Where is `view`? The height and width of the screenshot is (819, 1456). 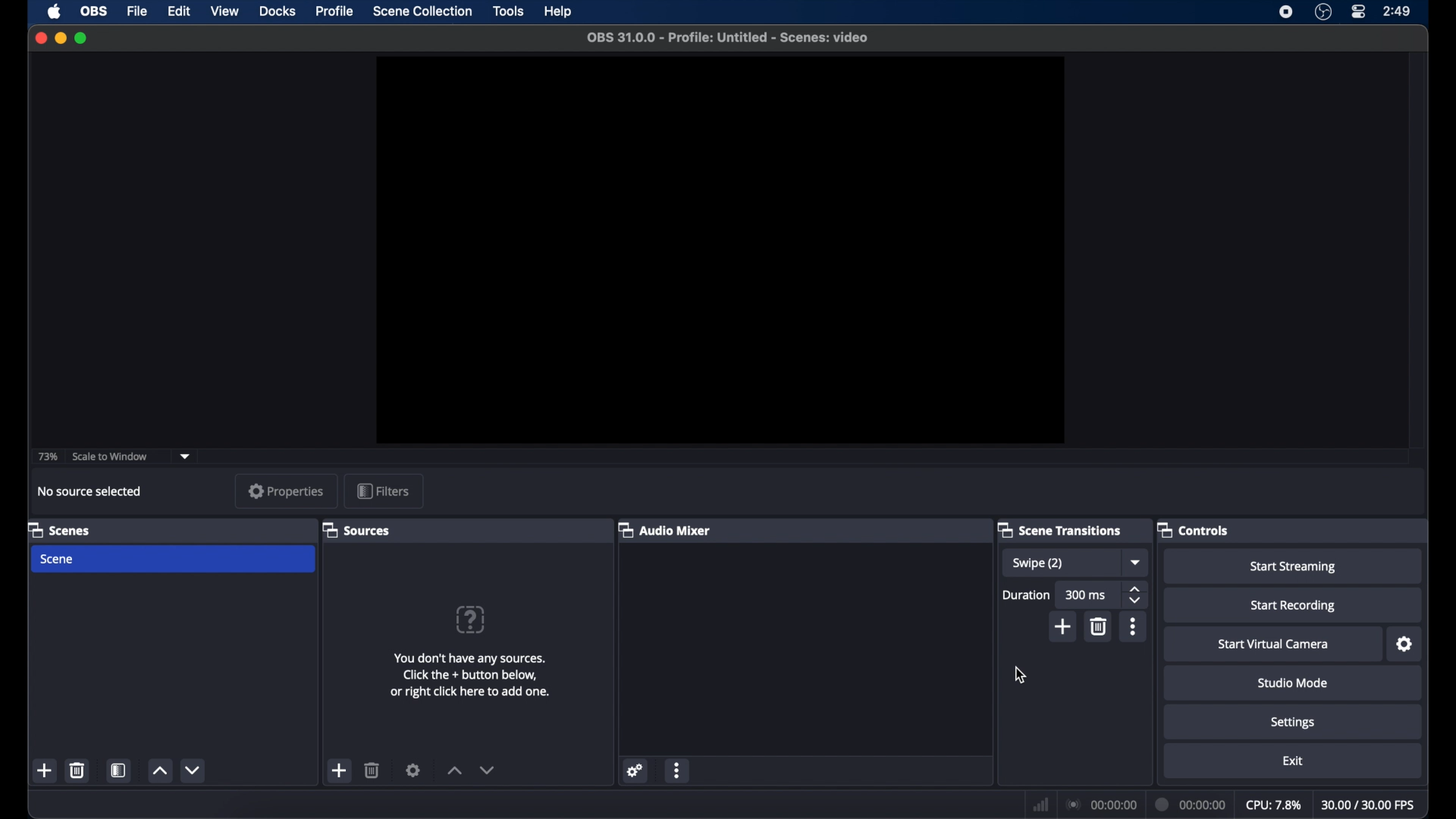 view is located at coordinates (224, 10).